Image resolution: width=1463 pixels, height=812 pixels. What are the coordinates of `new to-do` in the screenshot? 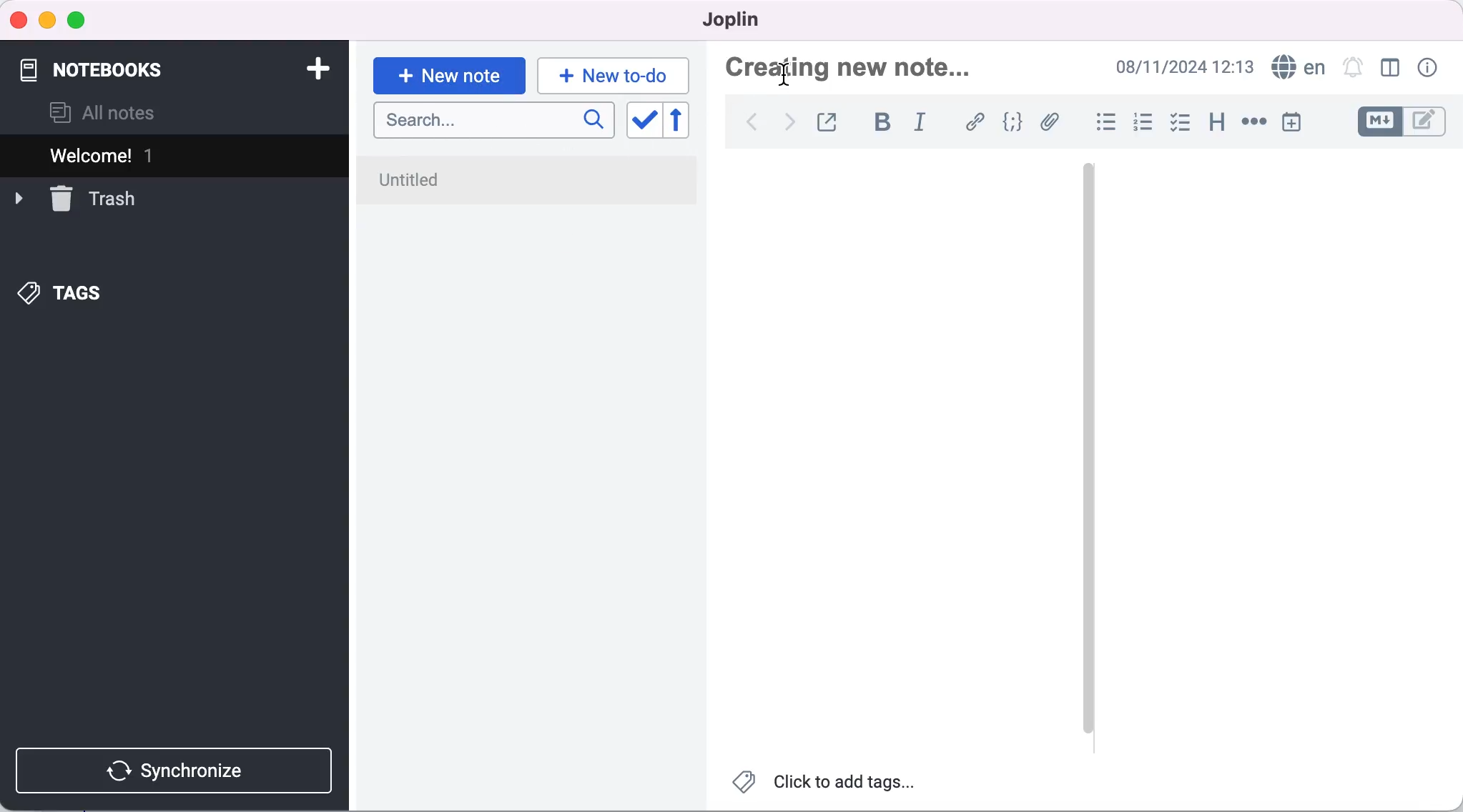 It's located at (618, 75).